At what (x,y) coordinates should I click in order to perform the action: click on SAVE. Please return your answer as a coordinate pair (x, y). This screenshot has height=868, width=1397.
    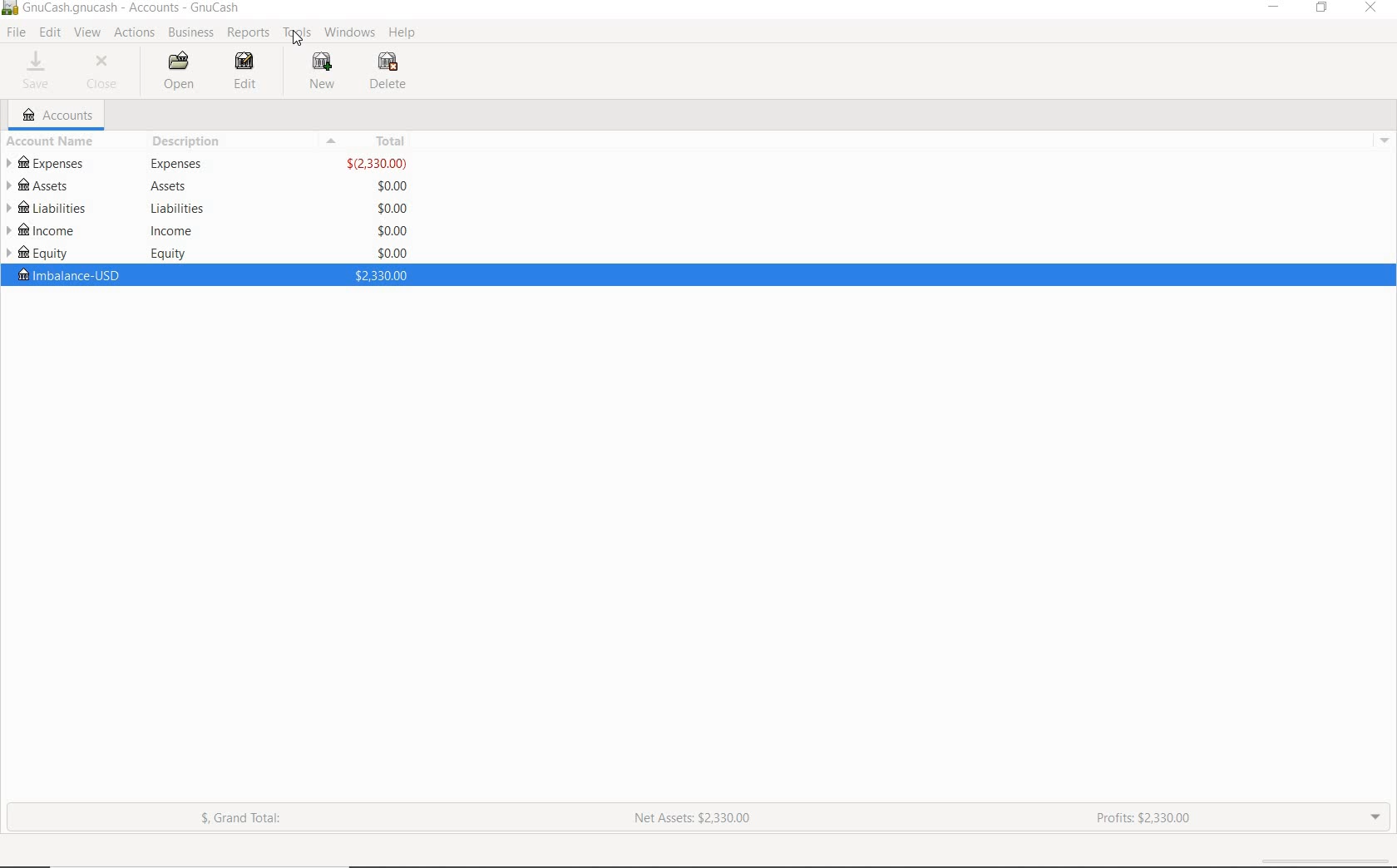
    Looking at the image, I should click on (37, 72).